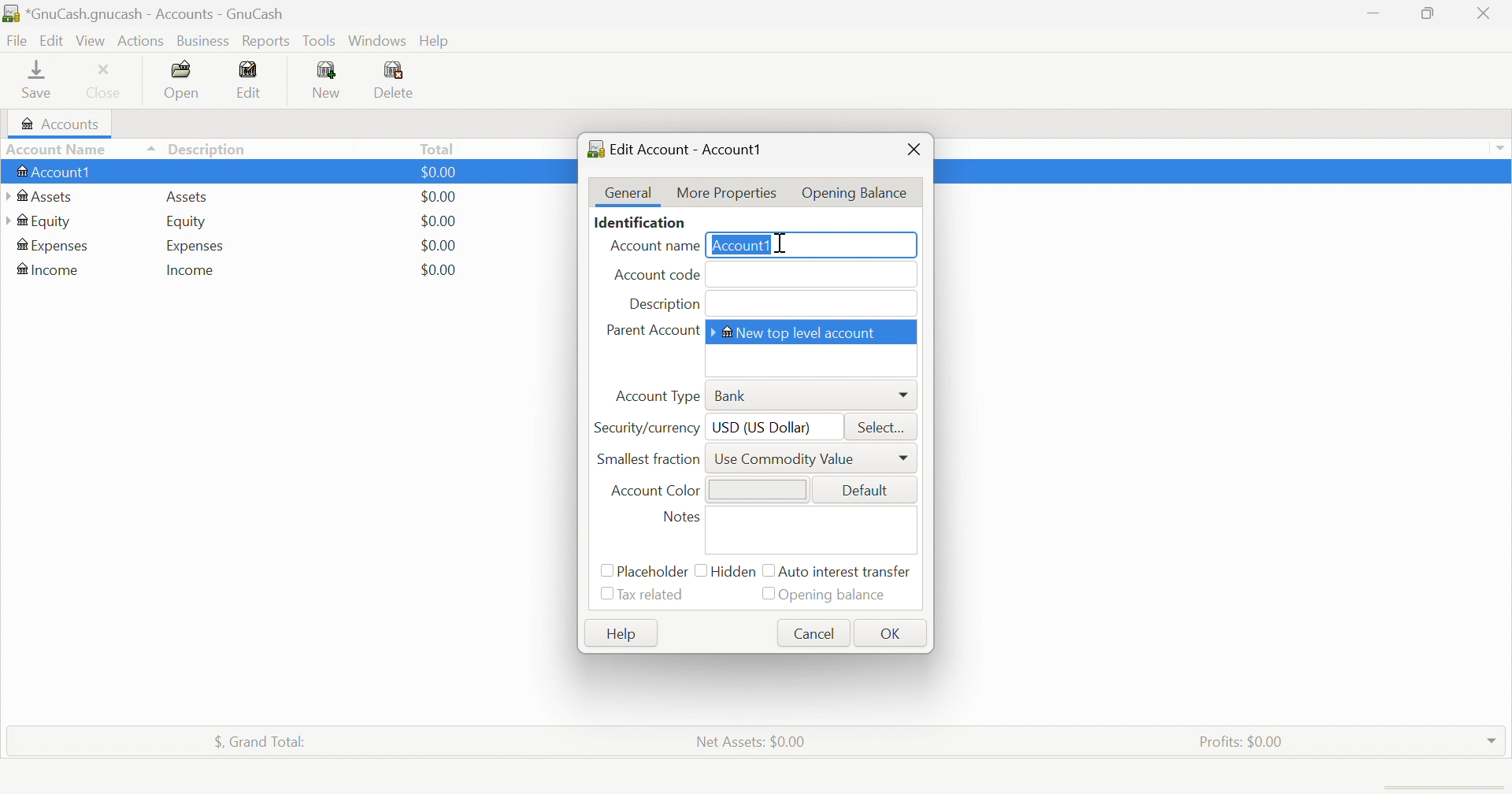  Describe the element at coordinates (183, 198) in the screenshot. I see `Assets` at that location.